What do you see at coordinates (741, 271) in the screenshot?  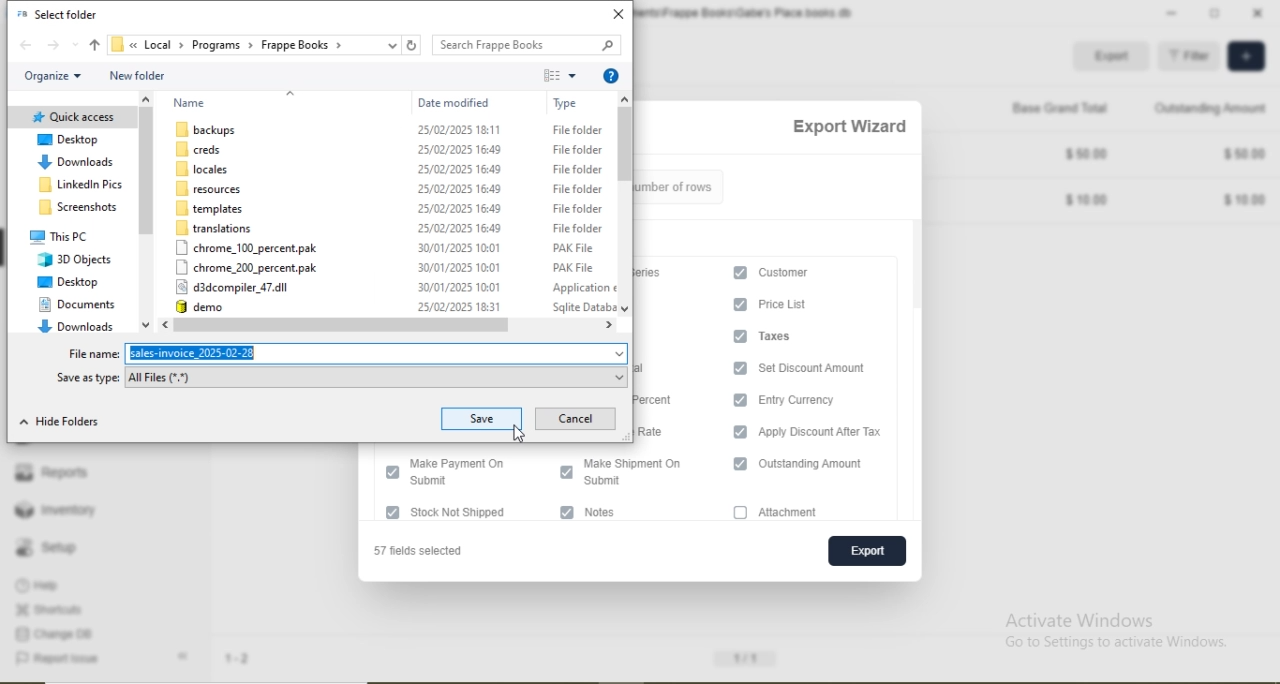 I see `checkbox` at bounding box center [741, 271].